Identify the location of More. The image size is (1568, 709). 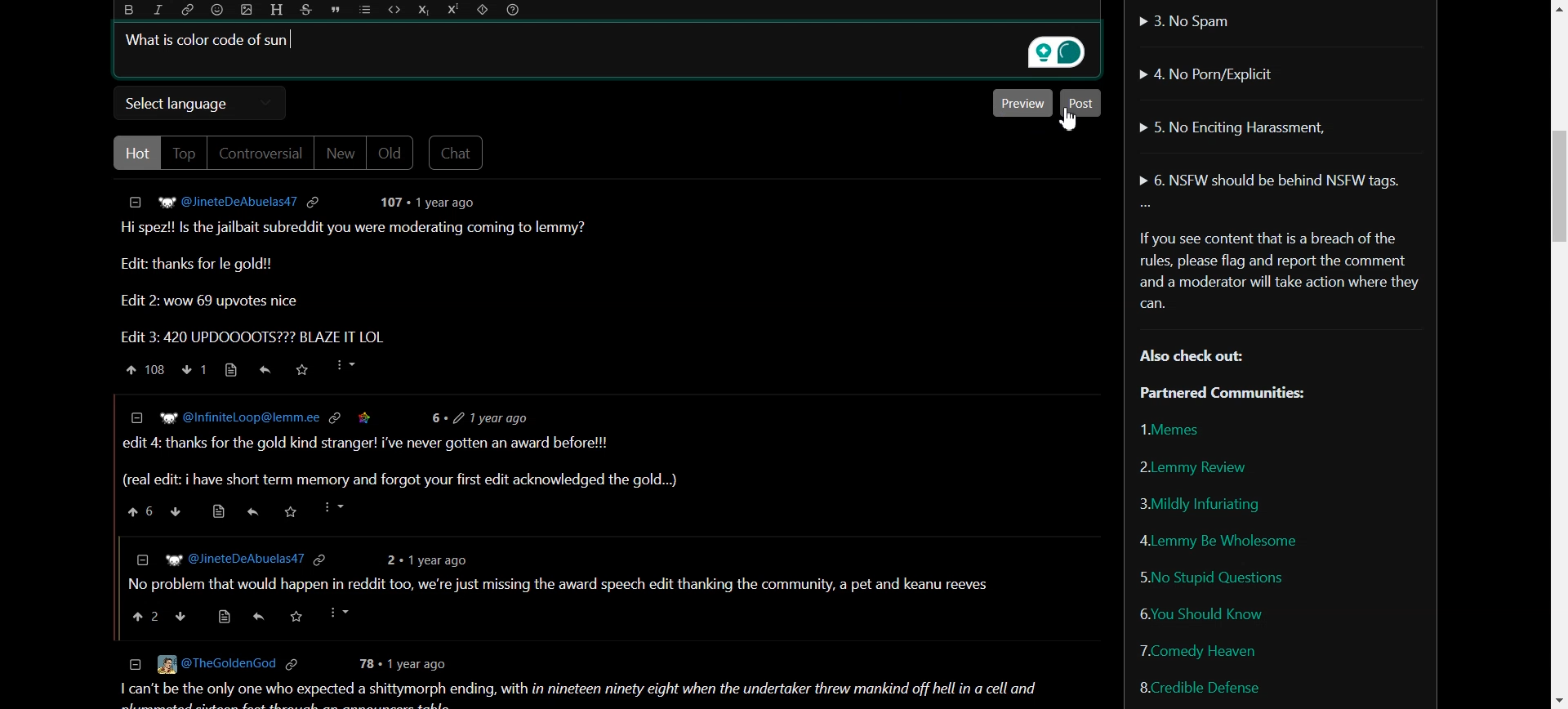
(1146, 206).